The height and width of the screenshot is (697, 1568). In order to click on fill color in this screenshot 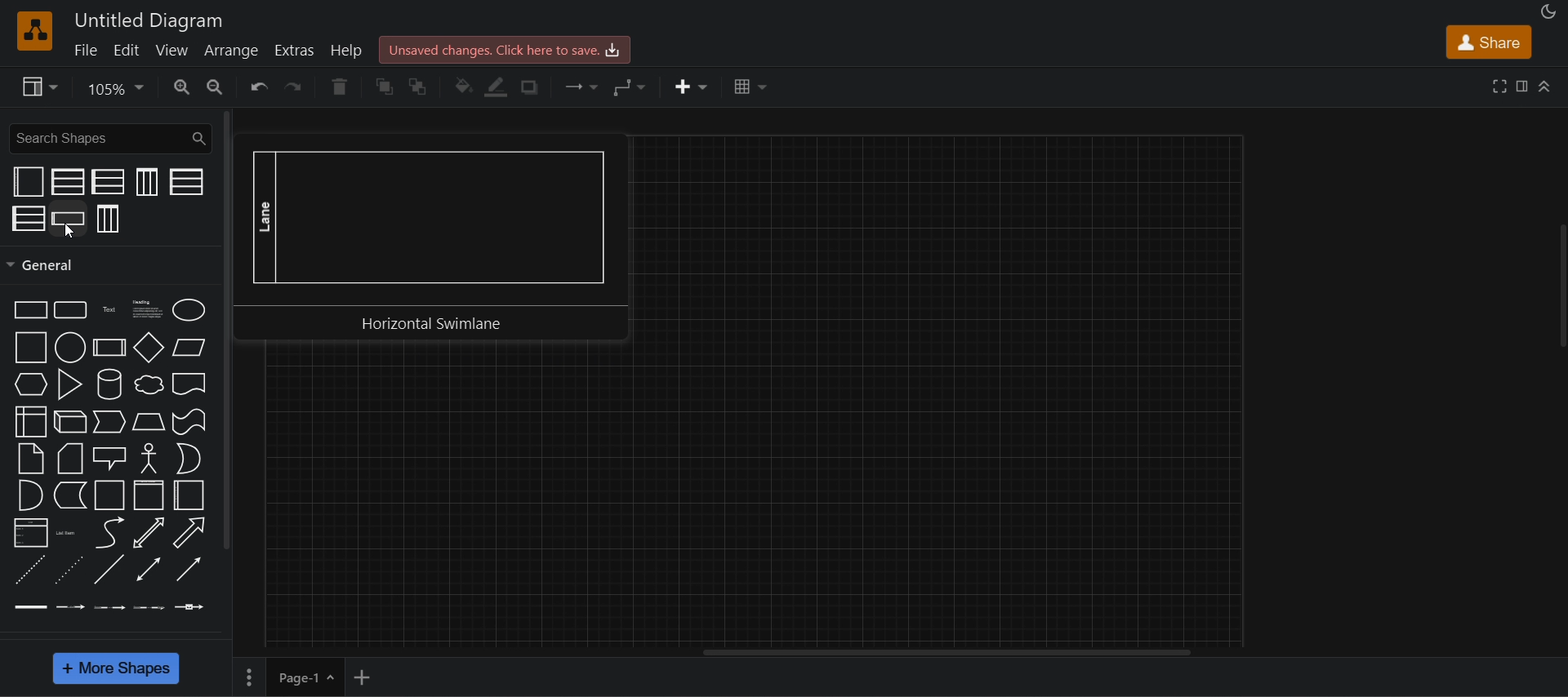, I will do `click(461, 85)`.